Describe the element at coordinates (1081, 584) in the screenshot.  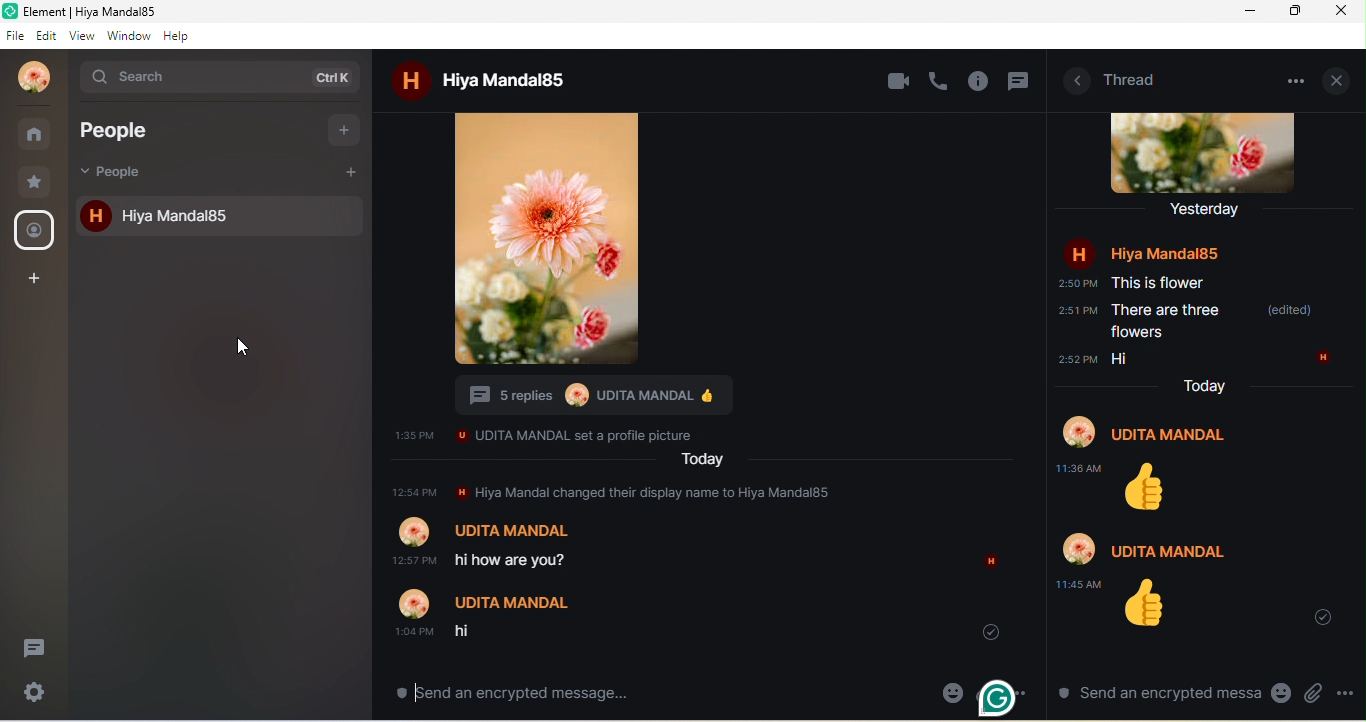
I see `11:45 AM` at that location.